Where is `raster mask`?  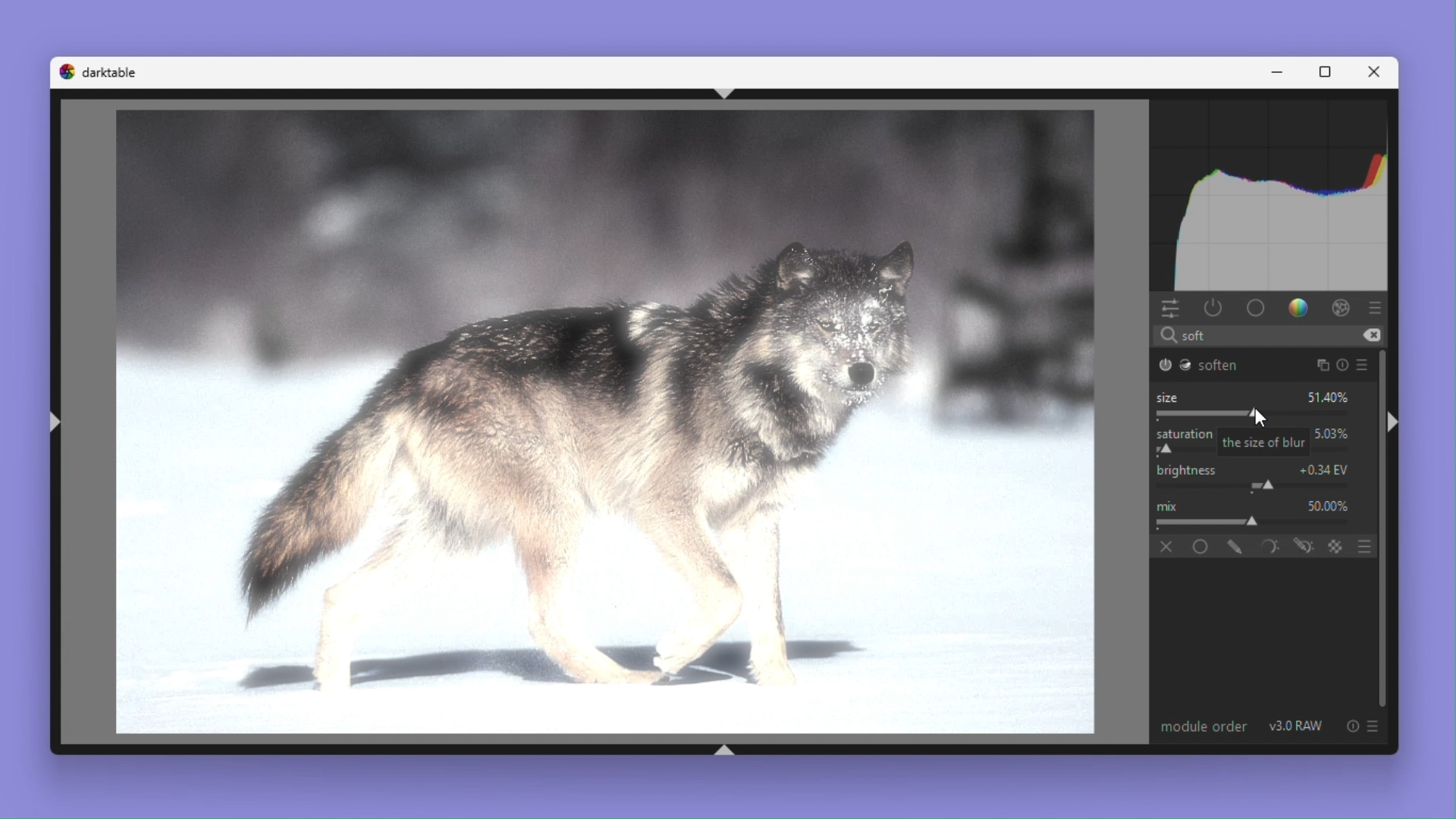 raster mask is located at coordinates (1336, 545).